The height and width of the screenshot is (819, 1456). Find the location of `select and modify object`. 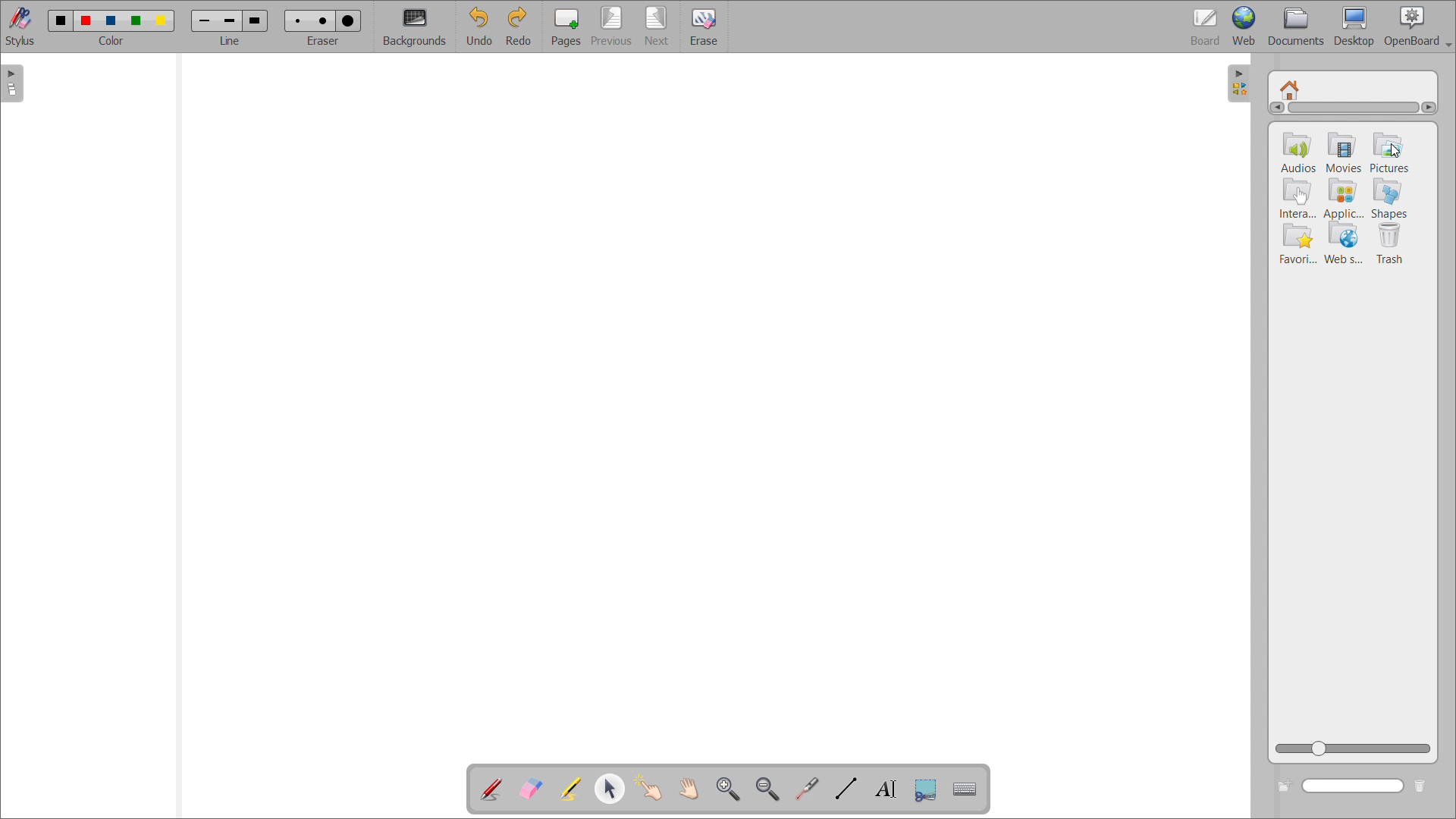

select and modify object is located at coordinates (609, 789).